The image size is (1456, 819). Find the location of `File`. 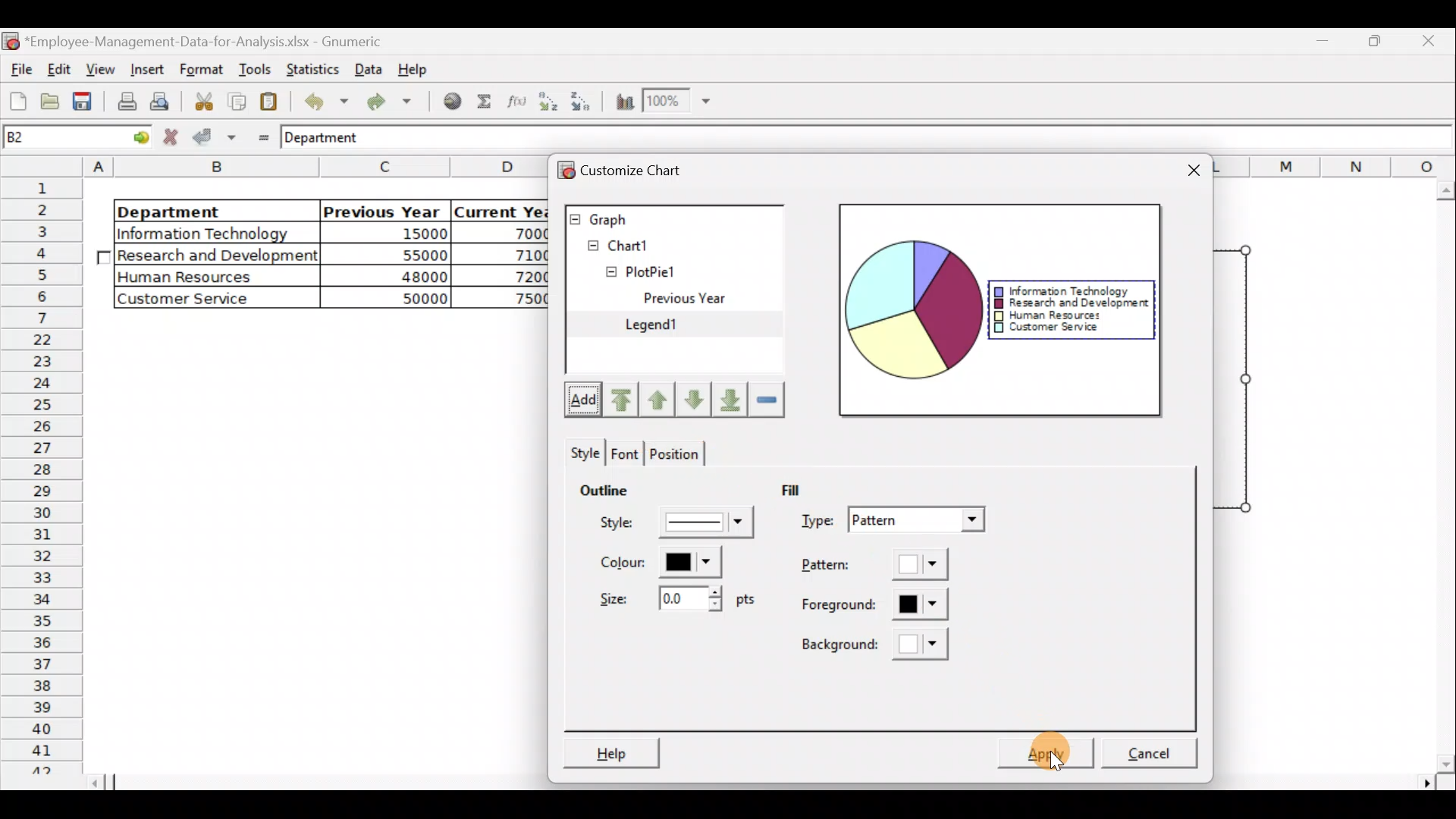

File is located at coordinates (19, 65).